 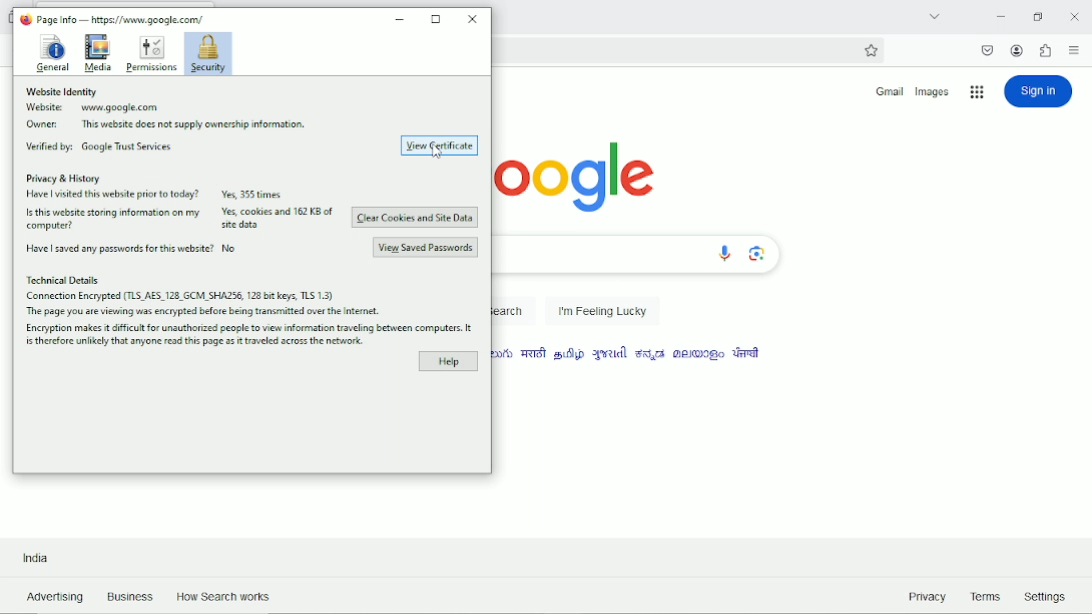 What do you see at coordinates (51, 597) in the screenshot?
I see `Advertising` at bounding box center [51, 597].